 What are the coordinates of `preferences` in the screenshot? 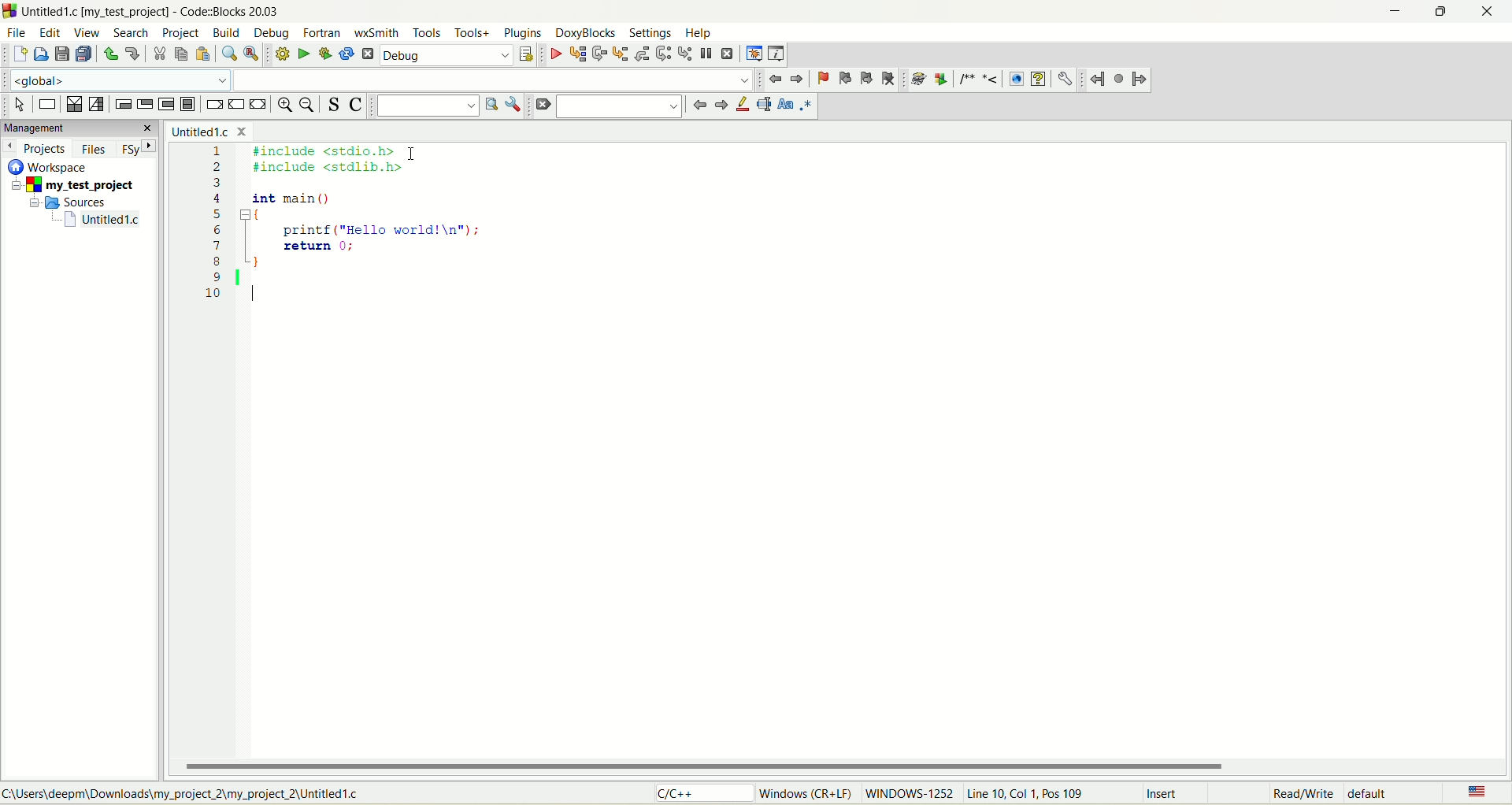 It's located at (1065, 80).